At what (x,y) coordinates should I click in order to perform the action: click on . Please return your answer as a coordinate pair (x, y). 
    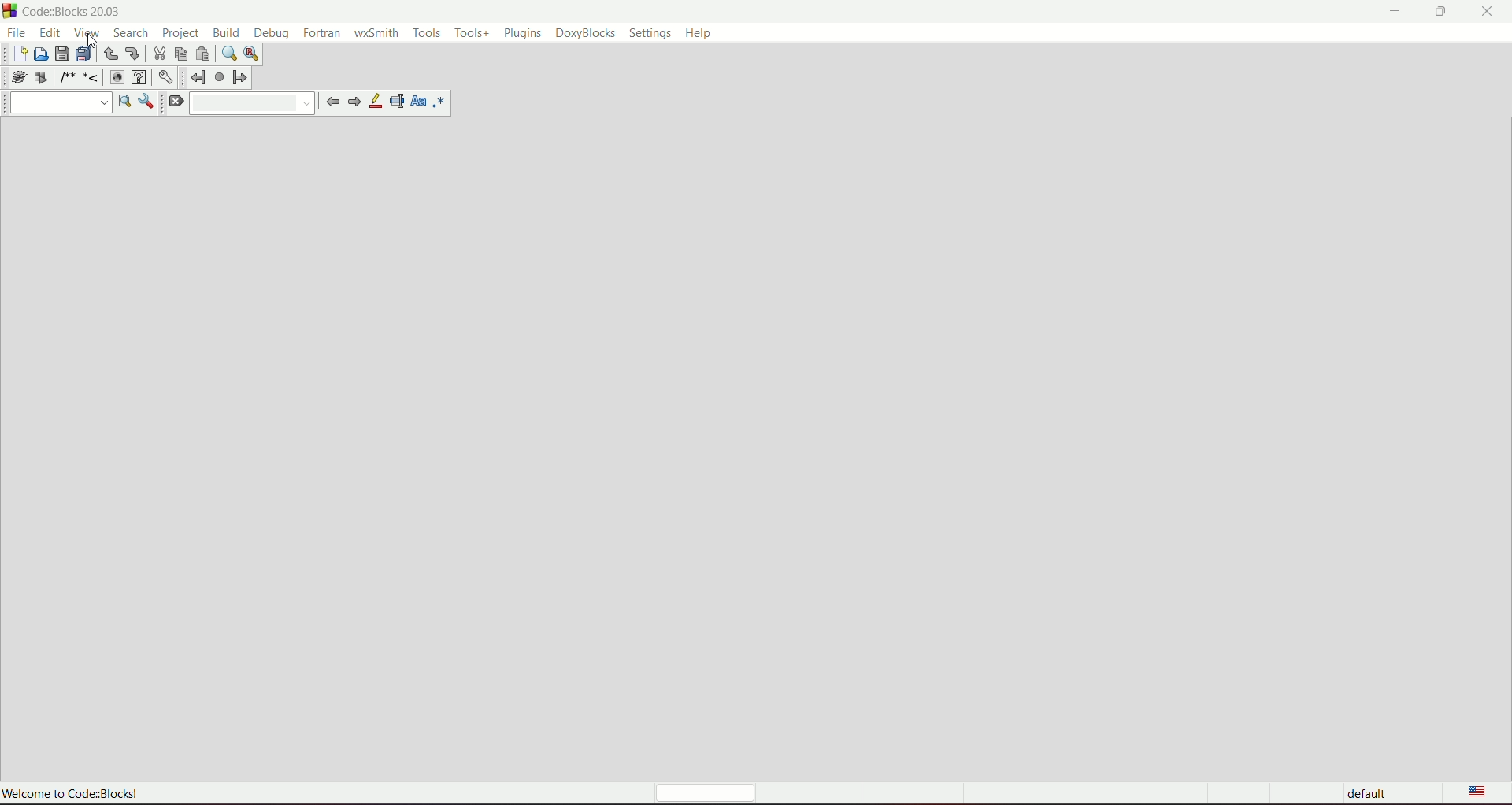
    Looking at the image, I should click on (1479, 794).